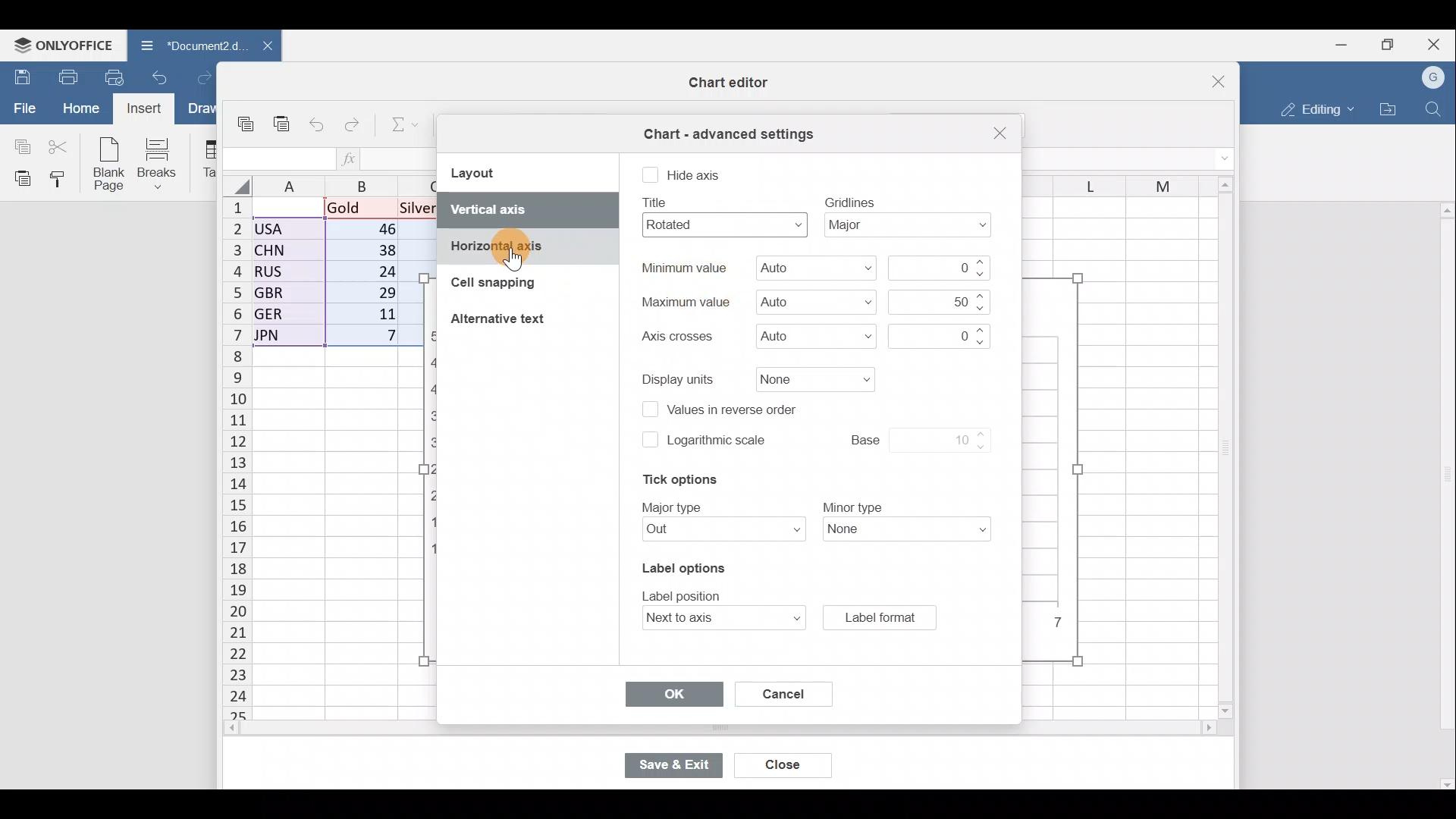 The image size is (1456, 819). What do you see at coordinates (19, 145) in the screenshot?
I see `Copy` at bounding box center [19, 145].